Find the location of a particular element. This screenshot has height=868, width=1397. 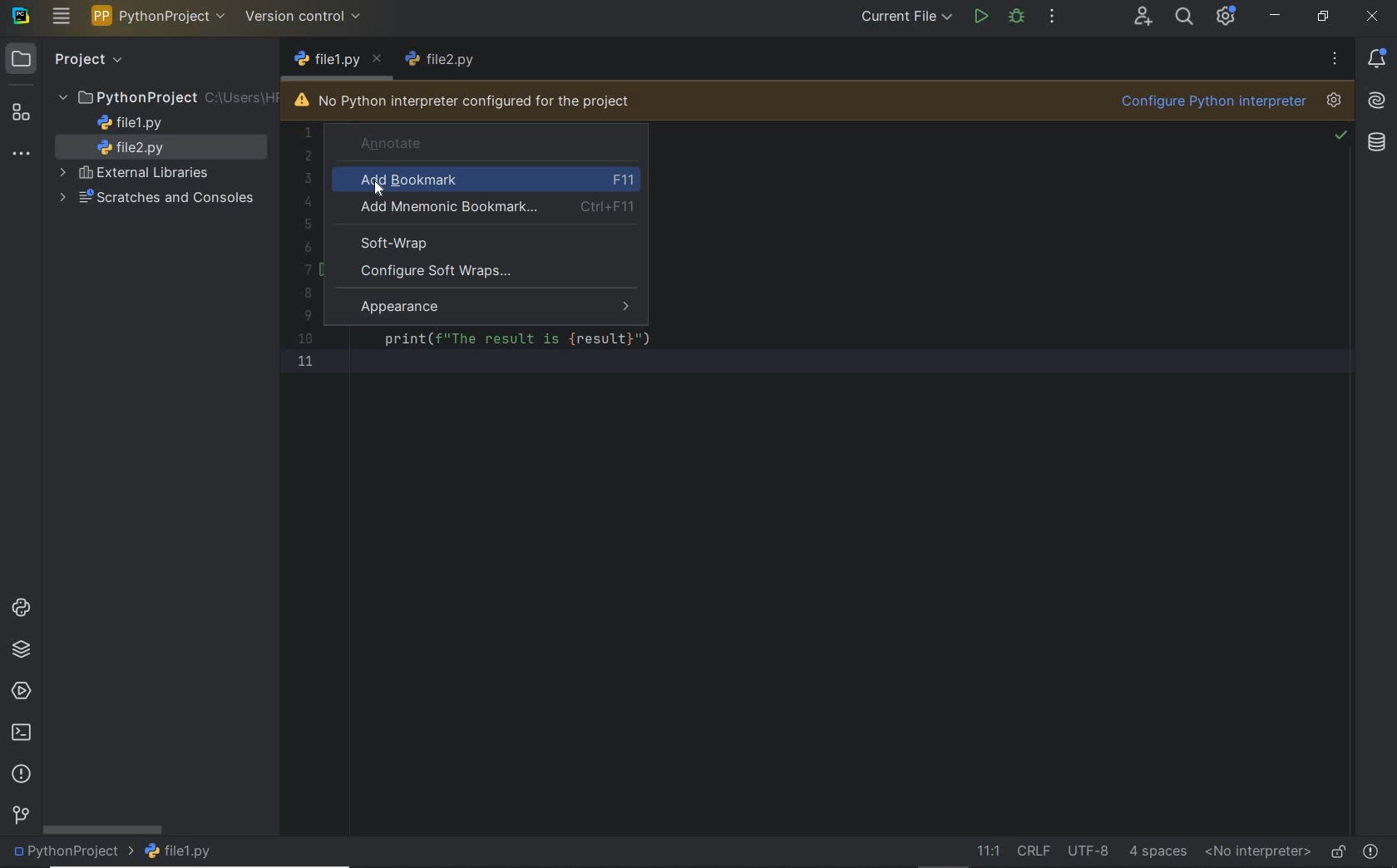

more tool windows is located at coordinates (22, 156).